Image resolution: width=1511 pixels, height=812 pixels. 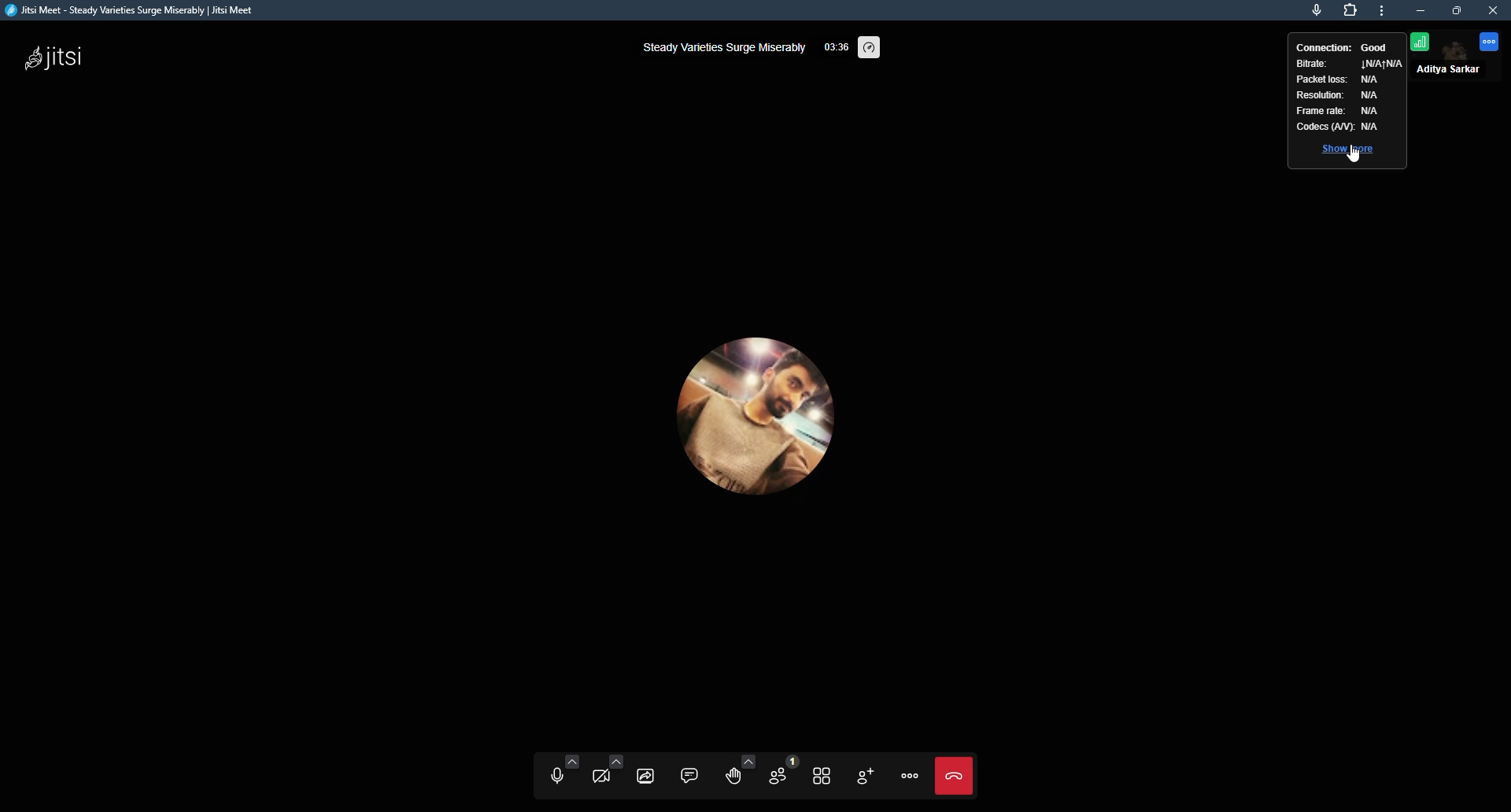 What do you see at coordinates (734, 776) in the screenshot?
I see `raise hand` at bounding box center [734, 776].